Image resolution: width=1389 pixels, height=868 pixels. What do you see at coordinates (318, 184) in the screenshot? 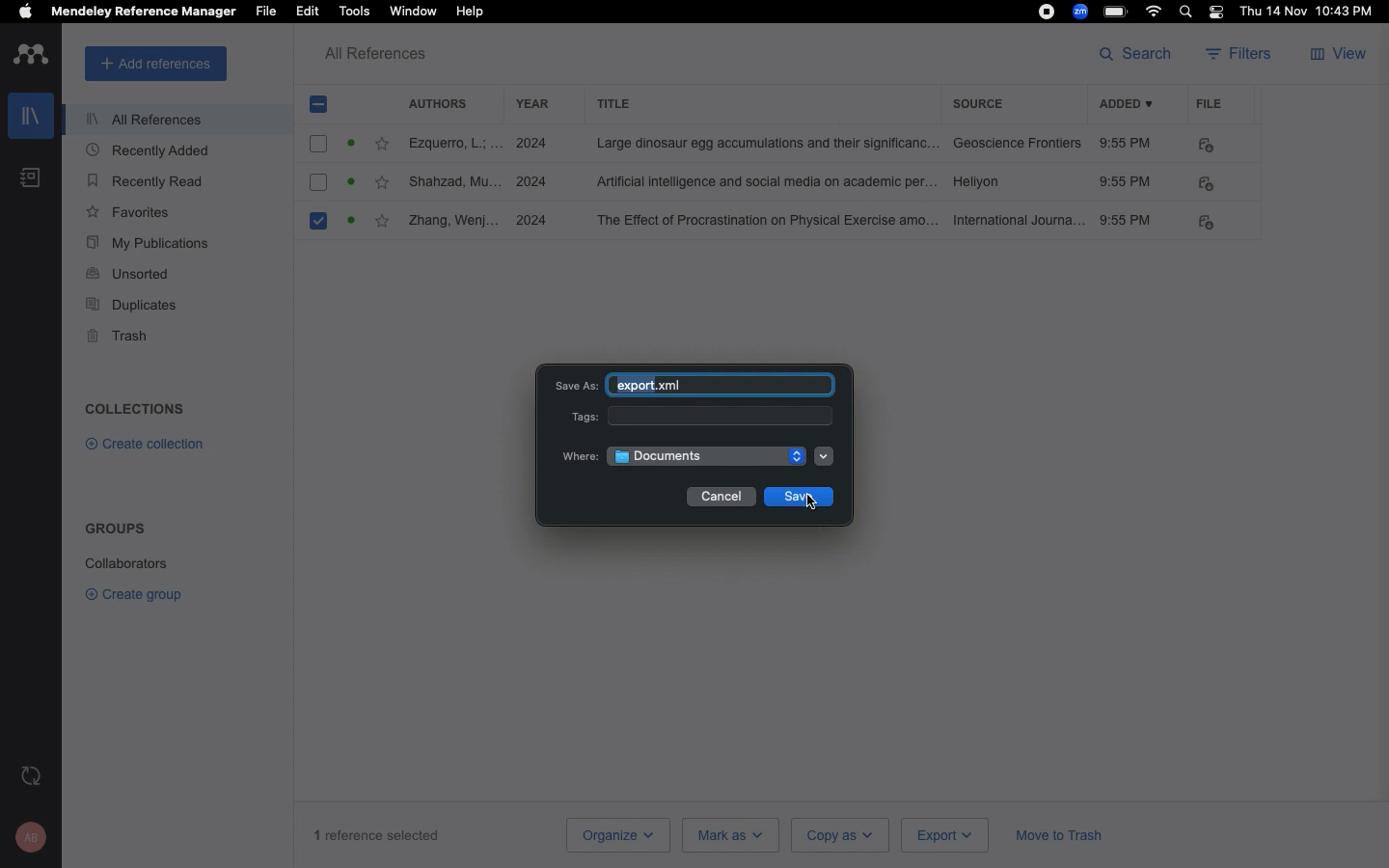
I see `checkbox` at bounding box center [318, 184].